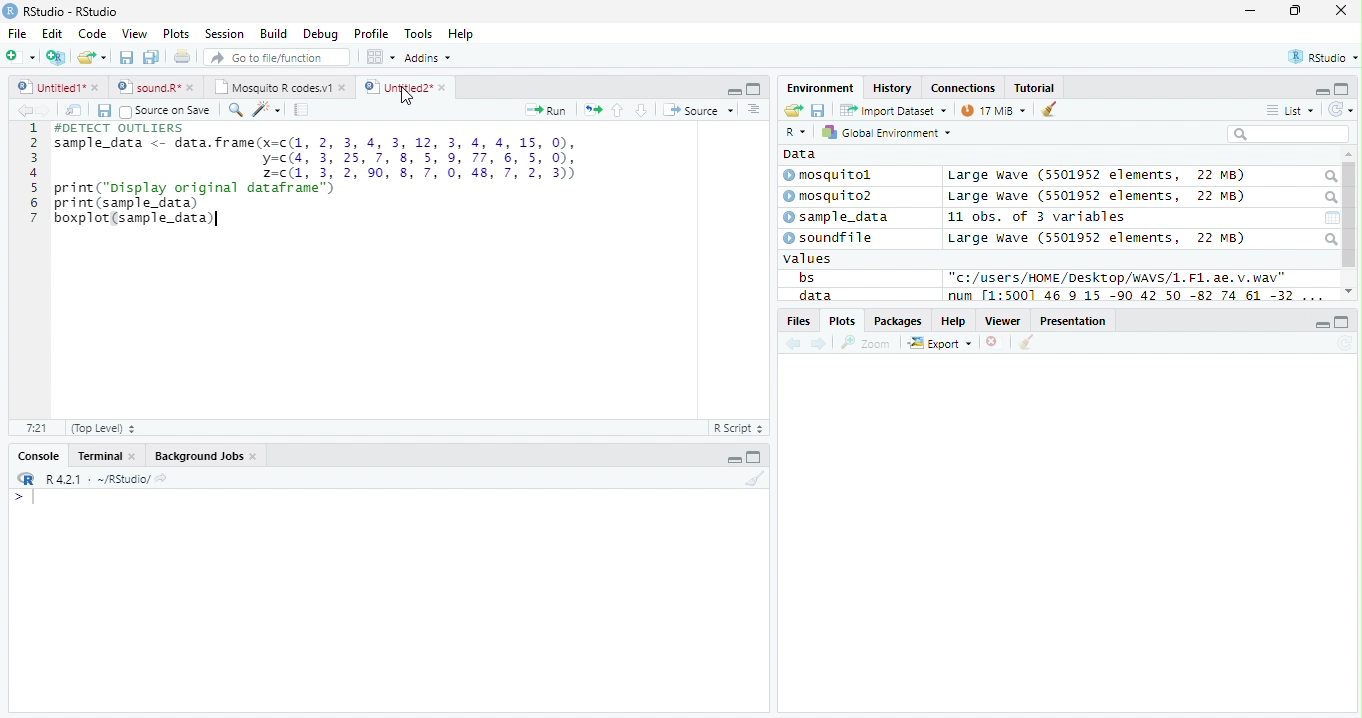 This screenshot has width=1362, height=718. Describe the element at coordinates (1343, 322) in the screenshot. I see `full screen` at that location.